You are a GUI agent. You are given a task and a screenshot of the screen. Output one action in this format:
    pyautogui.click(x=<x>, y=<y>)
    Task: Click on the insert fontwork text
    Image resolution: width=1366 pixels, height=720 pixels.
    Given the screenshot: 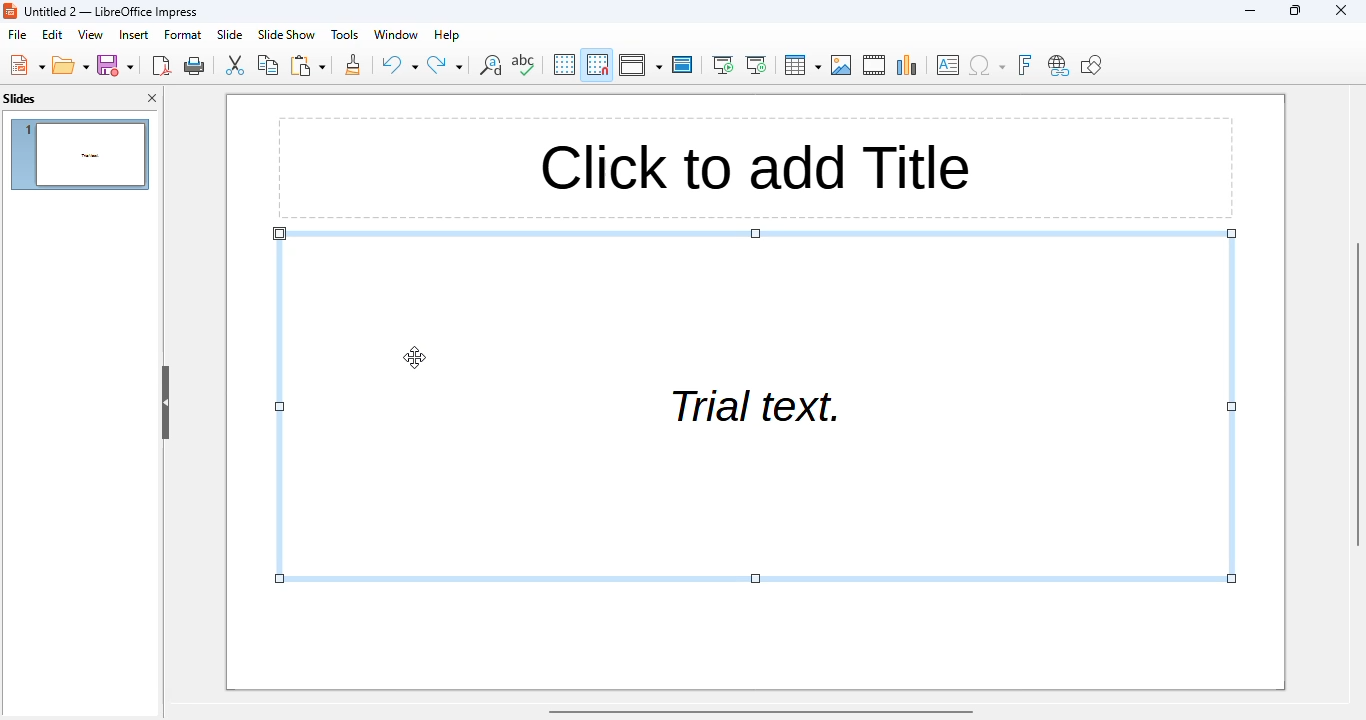 What is the action you would take?
    pyautogui.click(x=1024, y=64)
    